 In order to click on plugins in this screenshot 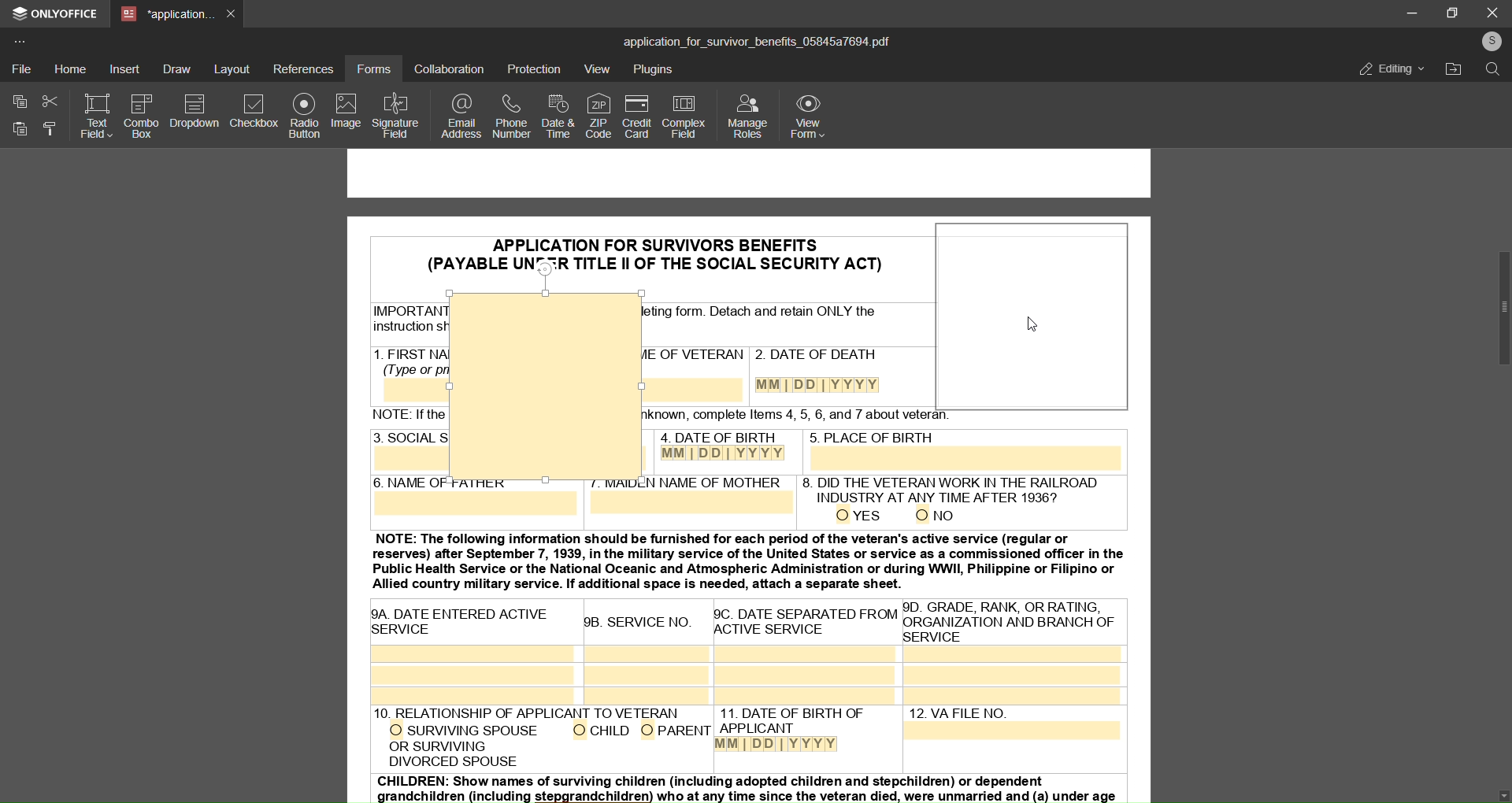, I will do `click(655, 71)`.